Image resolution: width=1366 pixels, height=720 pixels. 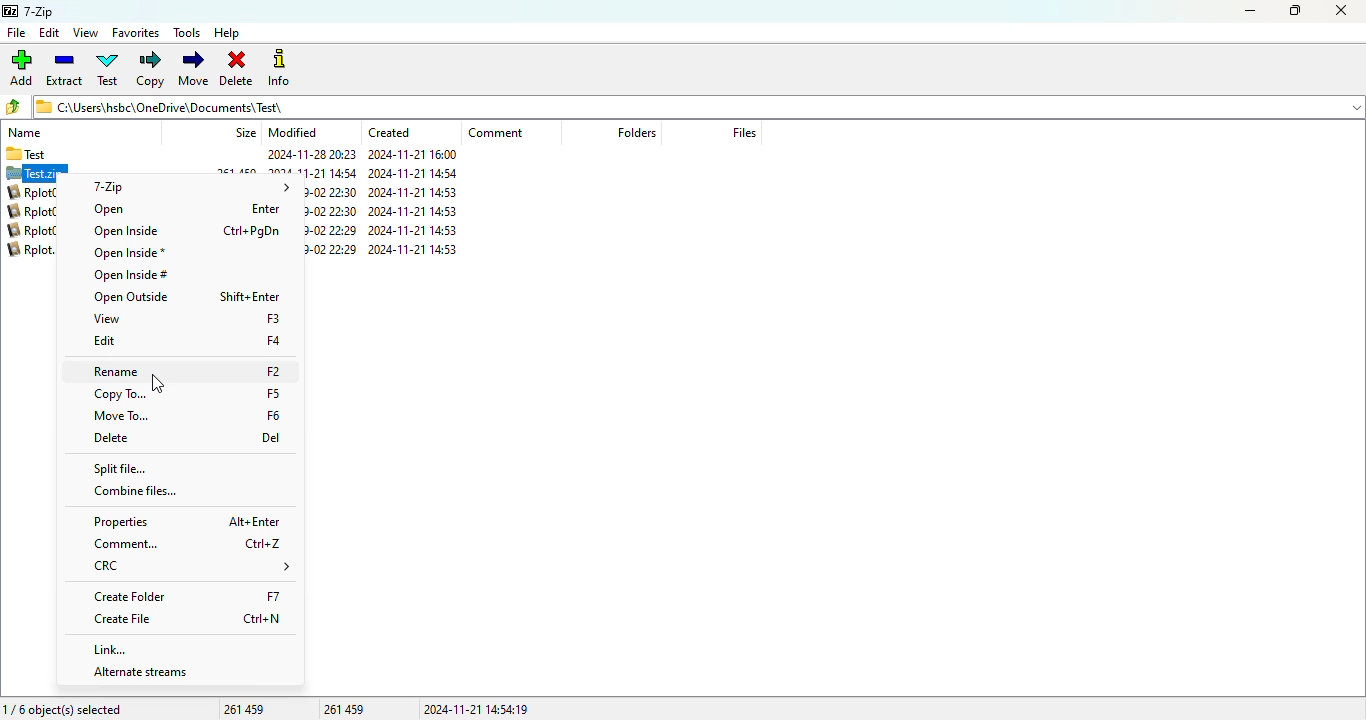 What do you see at coordinates (119, 372) in the screenshot?
I see `rename` at bounding box center [119, 372].